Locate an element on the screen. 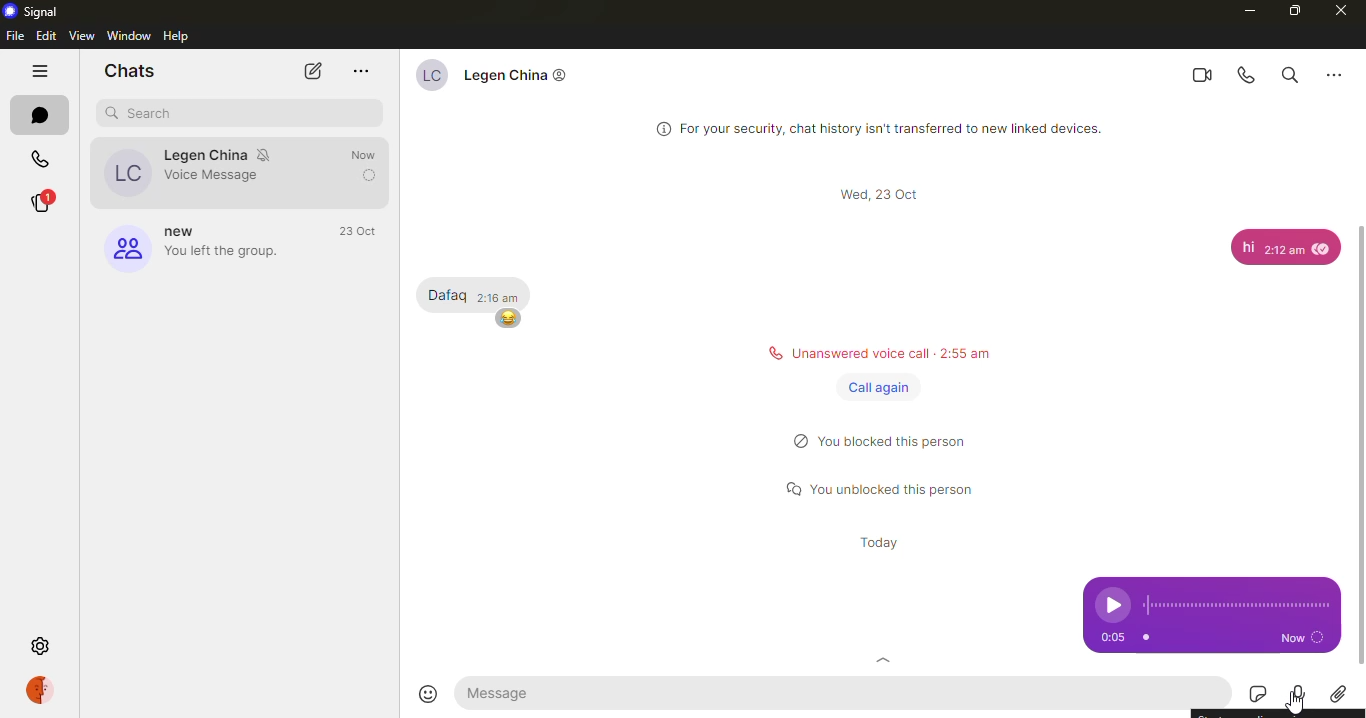 This screenshot has height=718, width=1366. group logo is located at coordinates (125, 246).